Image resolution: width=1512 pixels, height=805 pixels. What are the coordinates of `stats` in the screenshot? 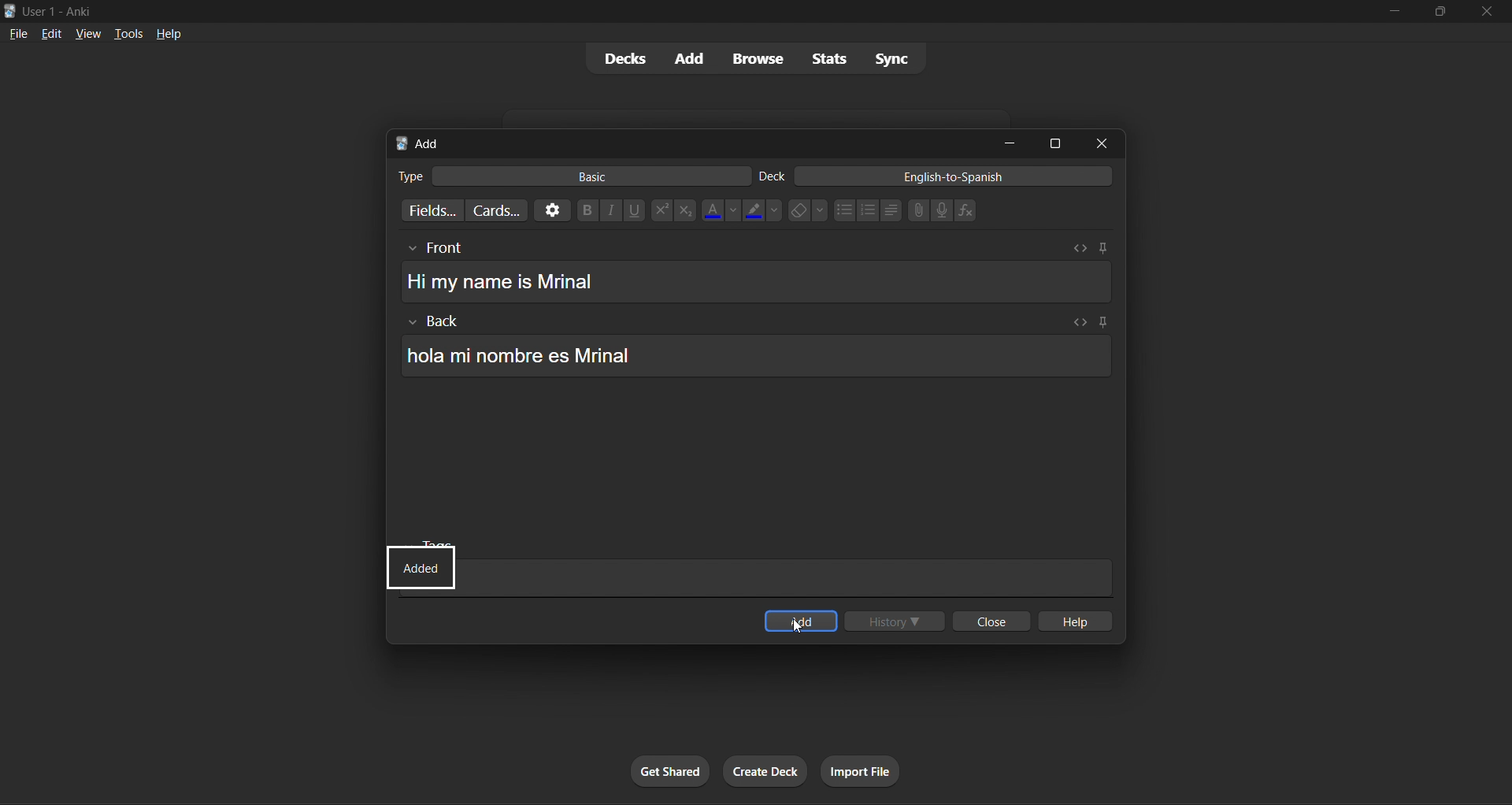 It's located at (824, 58).